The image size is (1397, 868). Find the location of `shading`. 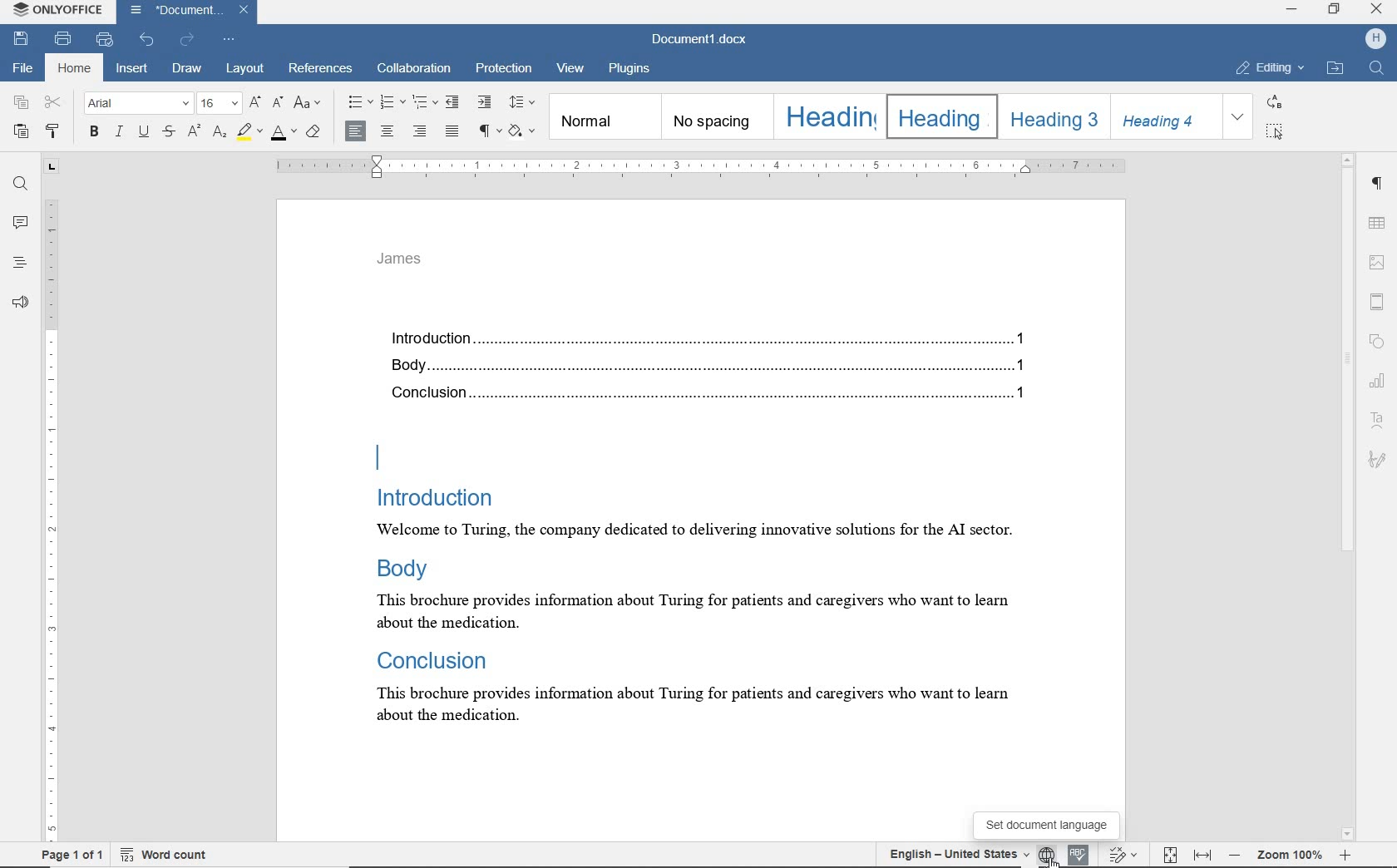

shading is located at coordinates (525, 131).